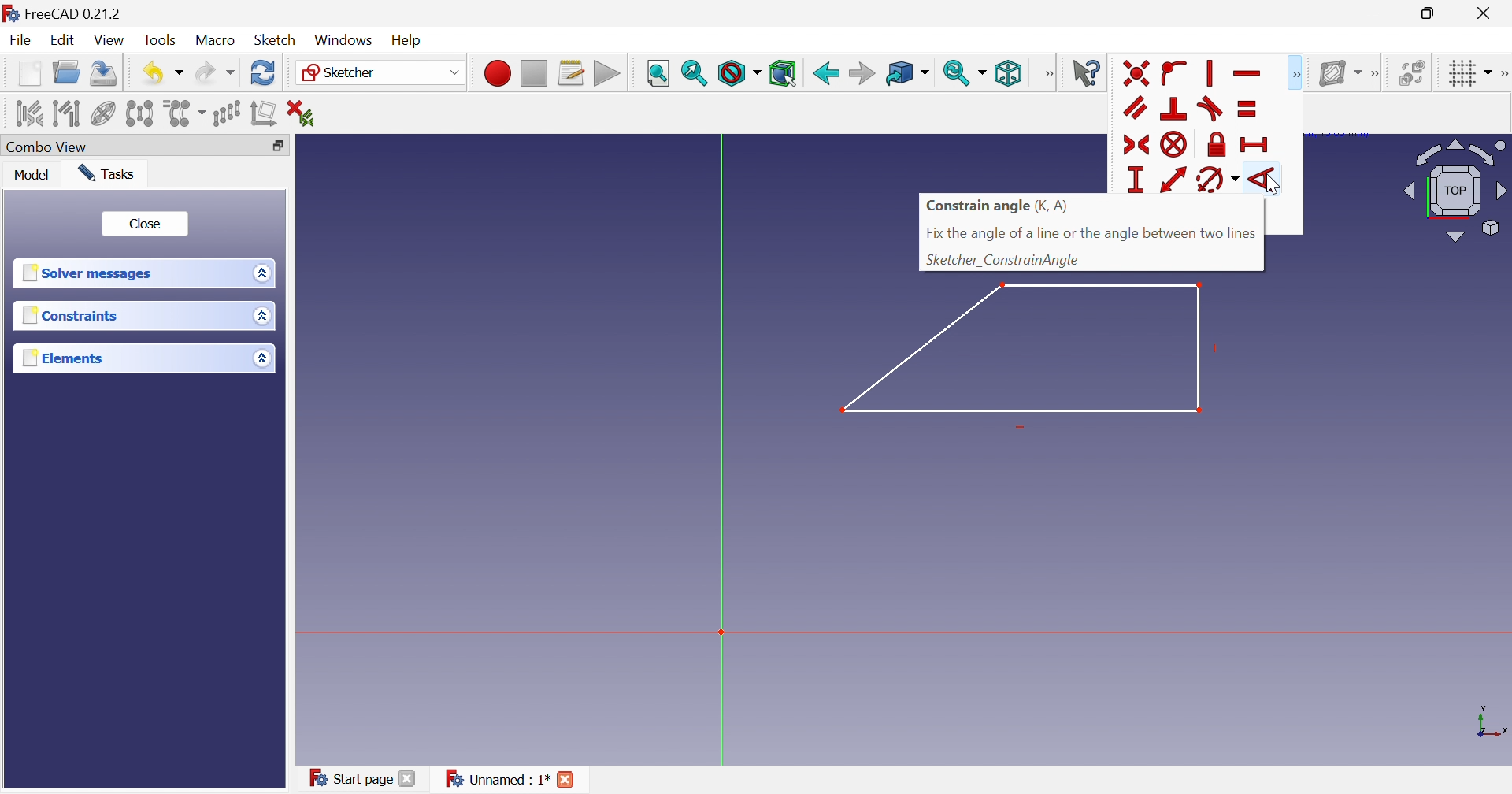 This screenshot has height=794, width=1512. Describe the element at coordinates (1086, 72) in the screenshot. I see `What's this?` at that location.